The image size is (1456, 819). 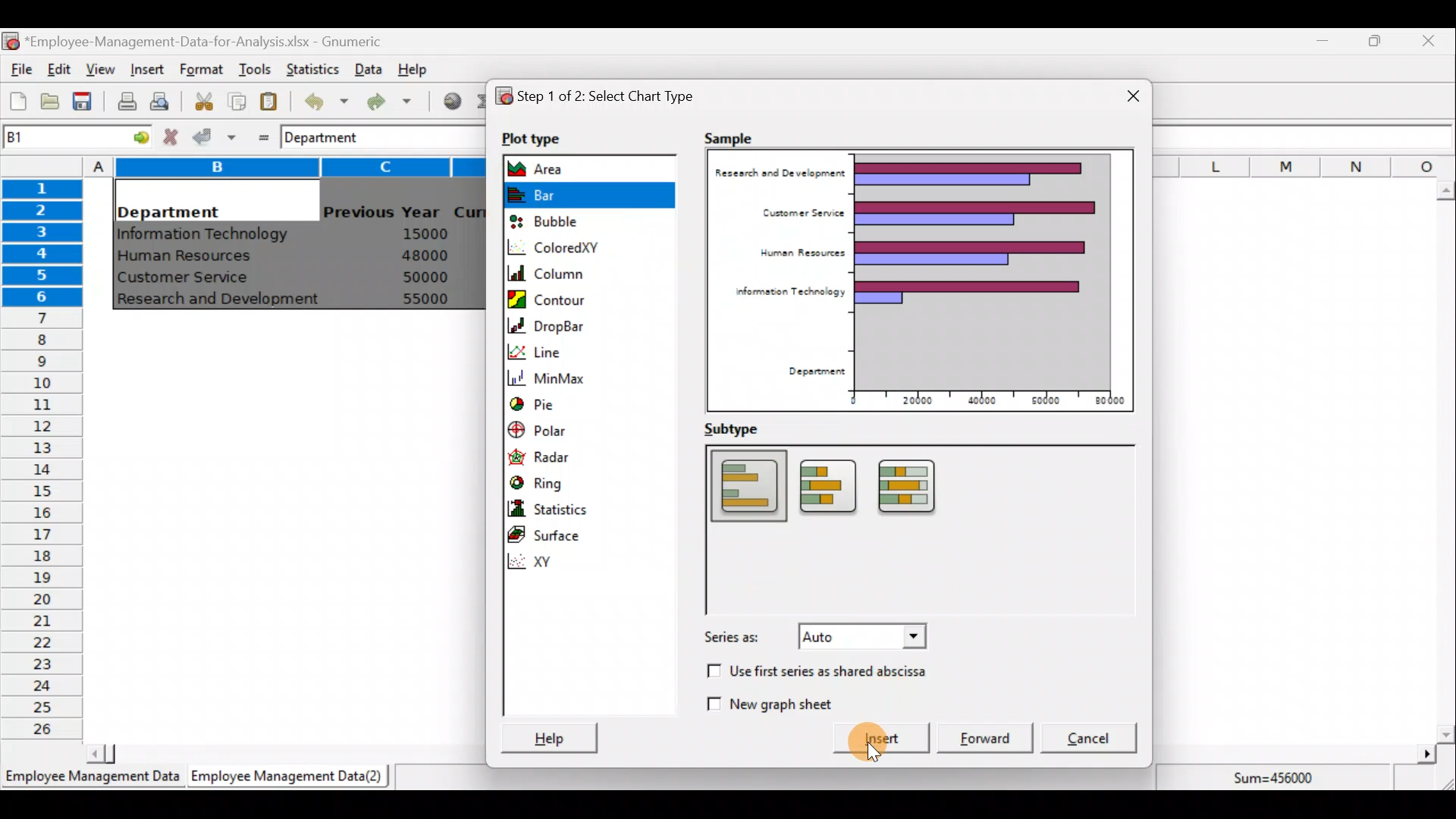 I want to click on ‘Employee-Management-Data-for-Analysis.xlsx - Gnumeric, so click(x=208, y=40).